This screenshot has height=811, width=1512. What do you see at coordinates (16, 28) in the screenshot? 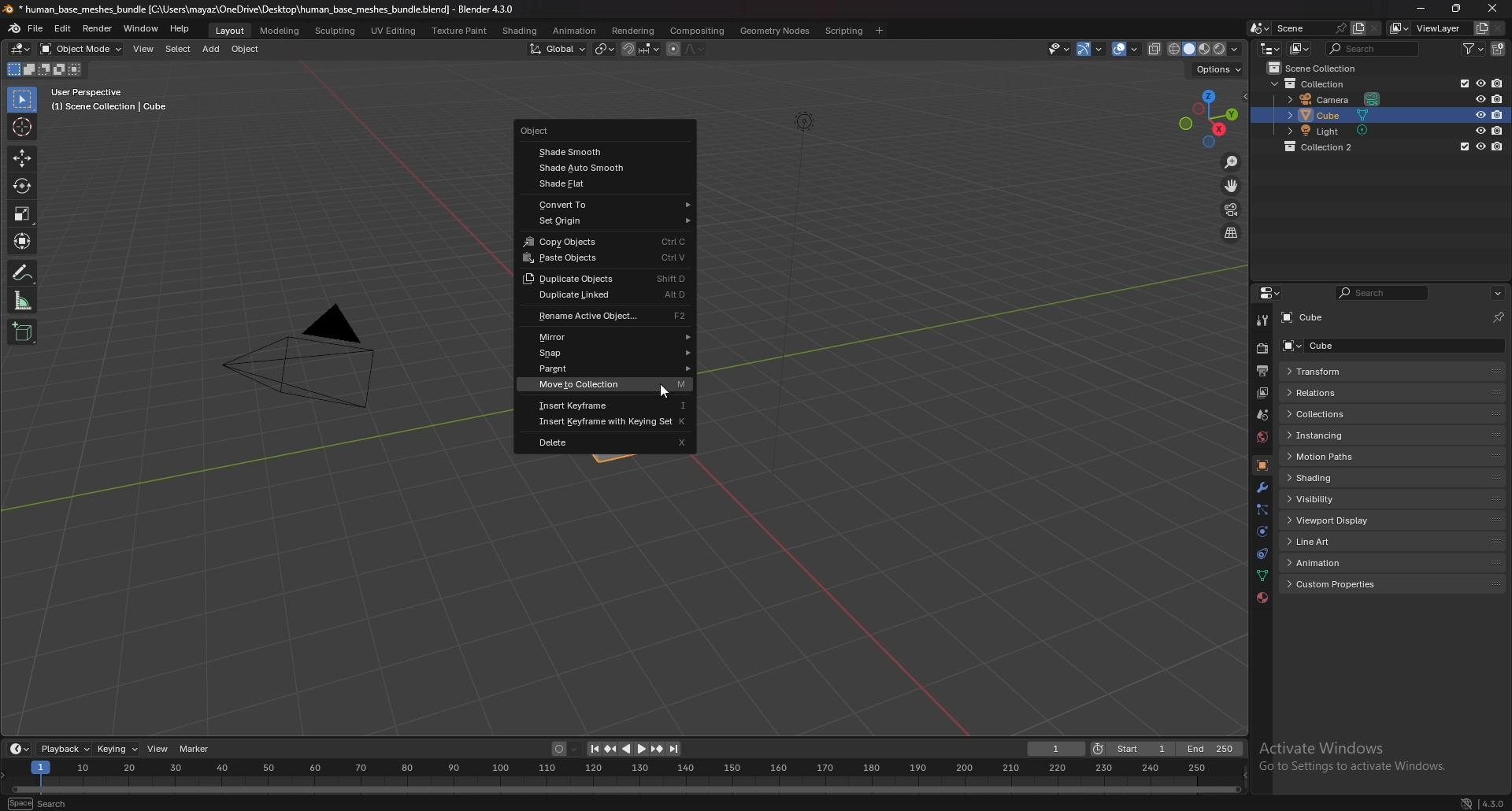
I see `blender` at bounding box center [16, 28].